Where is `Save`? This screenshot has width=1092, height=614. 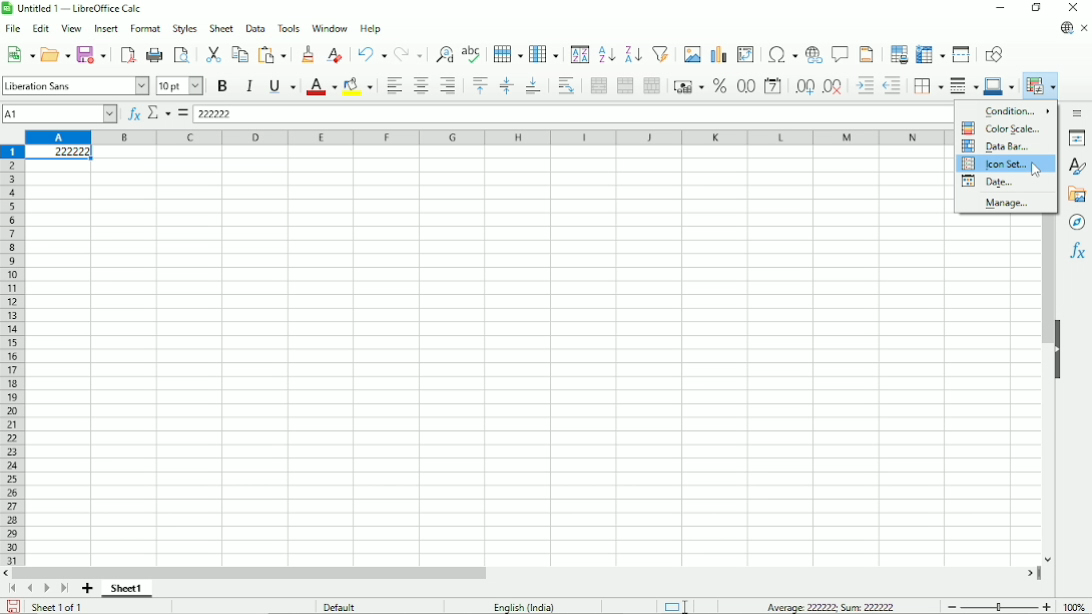
Save is located at coordinates (94, 53).